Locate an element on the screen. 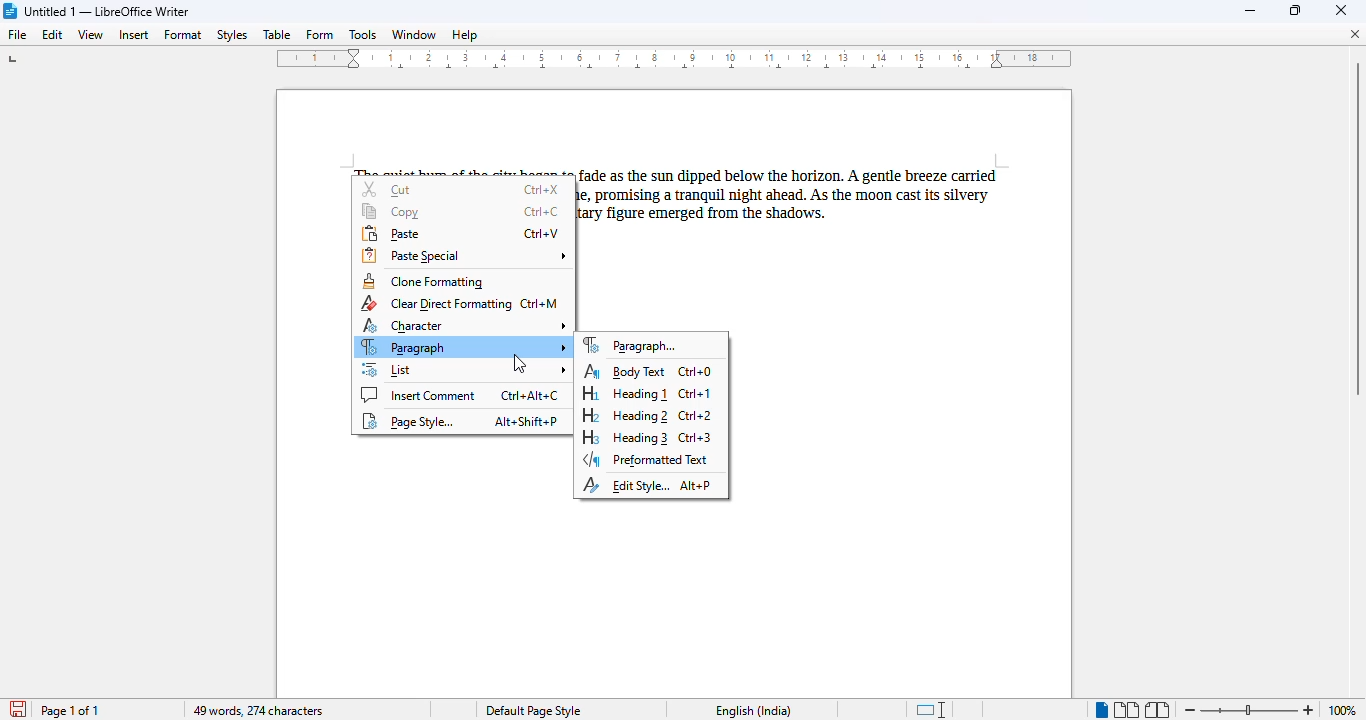  paragraph is located at coordinates (787, 192).